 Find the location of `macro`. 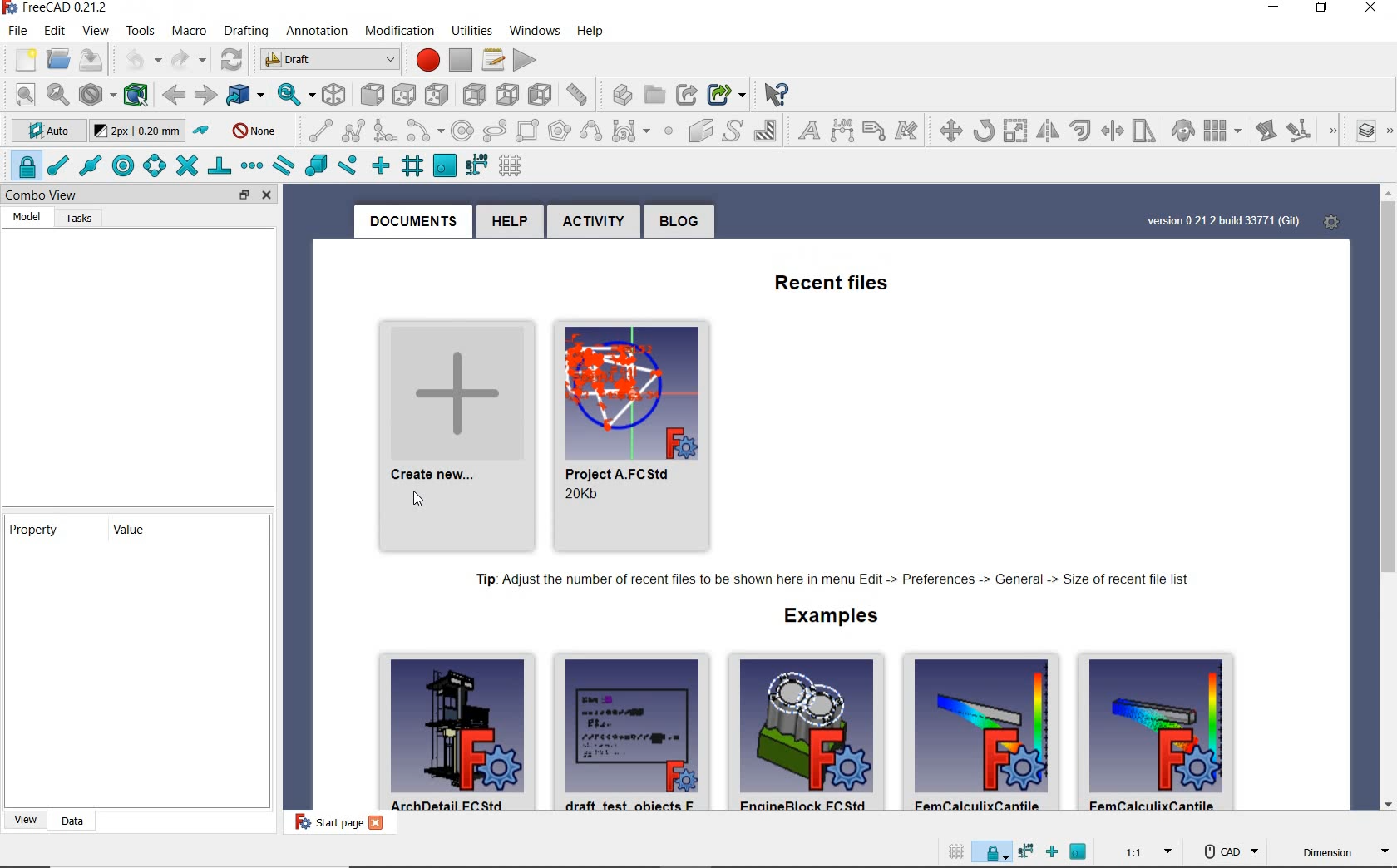

macro is located at coordinates (183, 31).